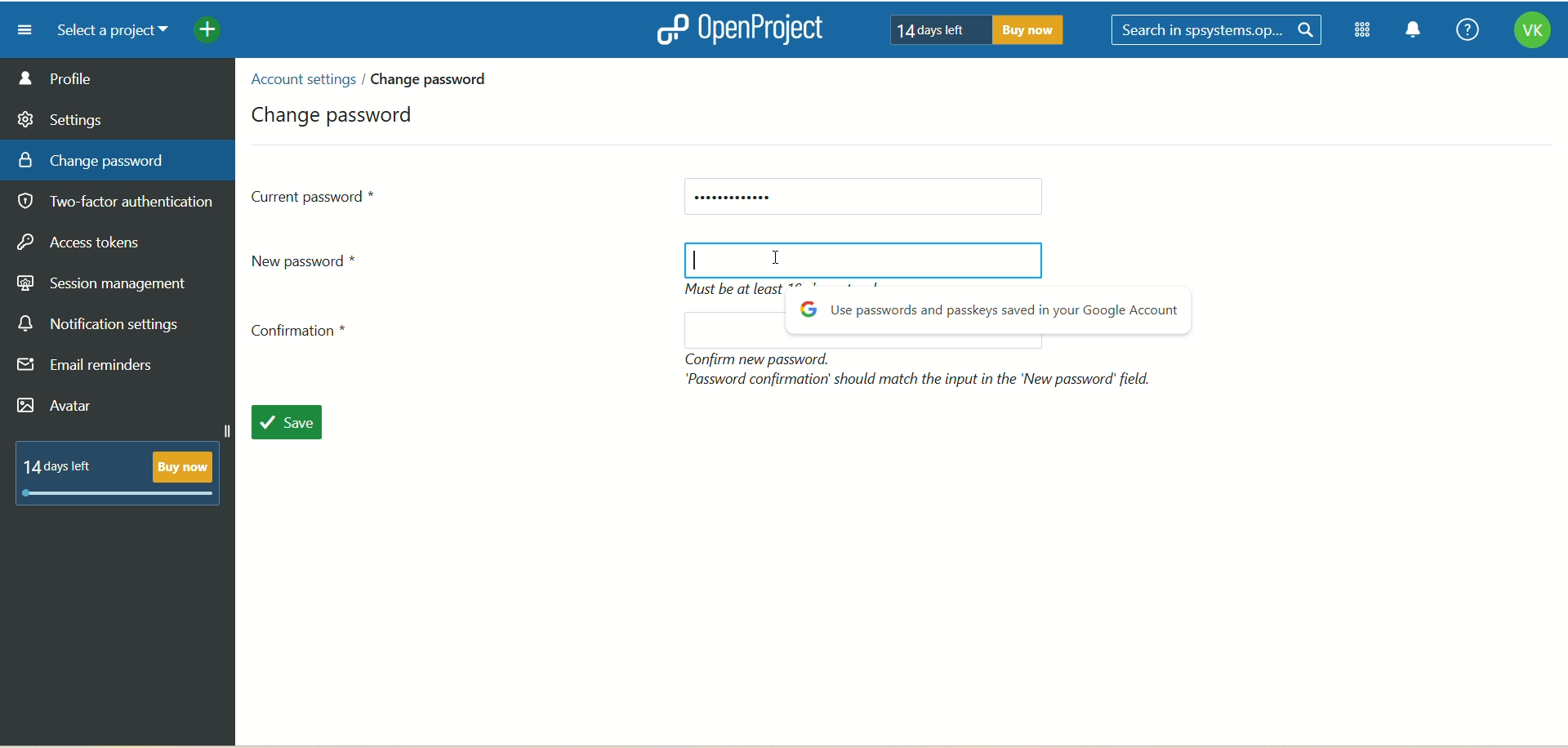  What do you see at coordinates (106, 31) in the screenshot?
I see `select a project` at bounding box center [106, 31].